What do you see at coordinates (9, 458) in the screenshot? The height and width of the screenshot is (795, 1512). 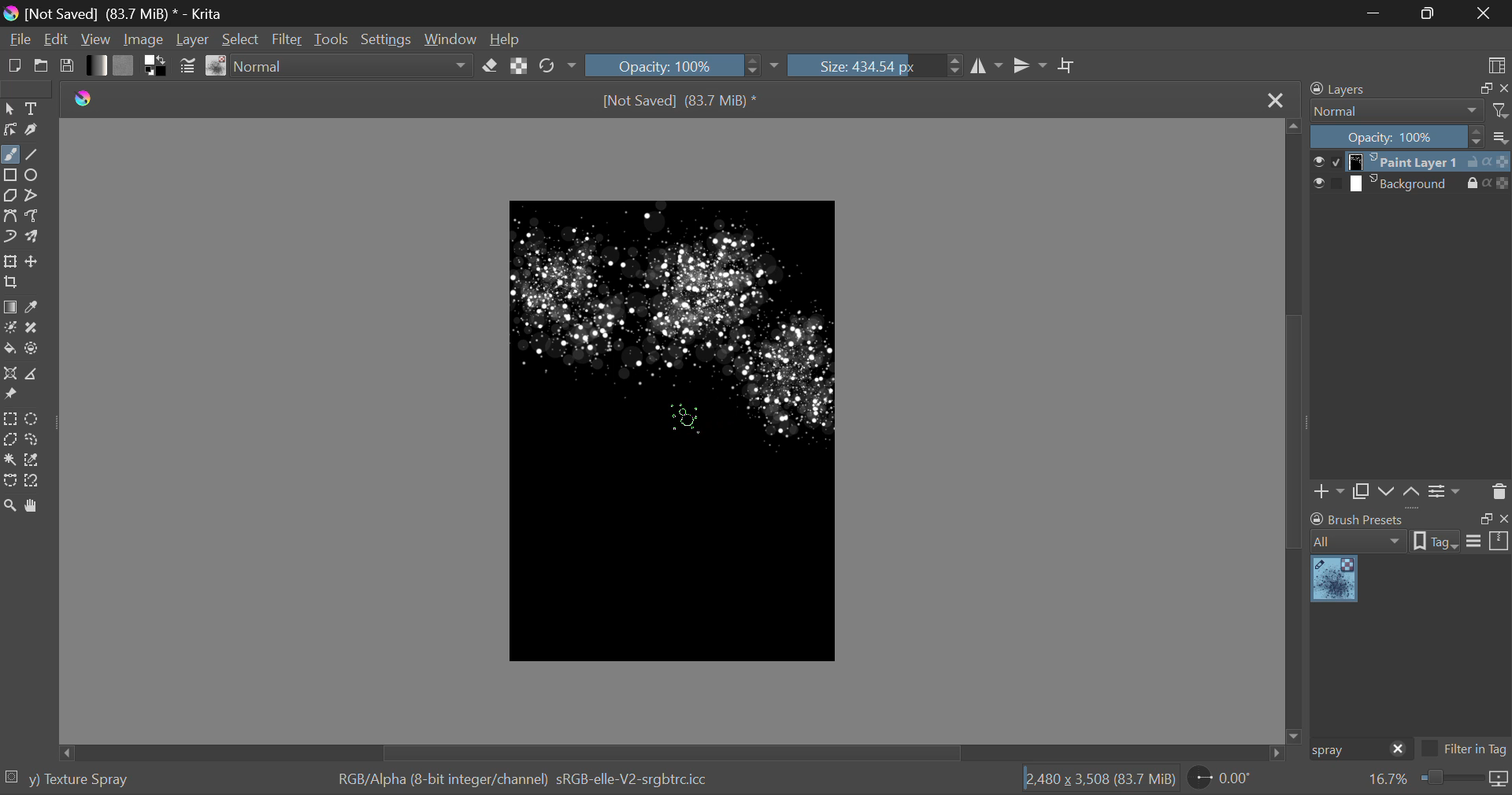 I see `Continuous Fill` at bounding box center [9, 458].